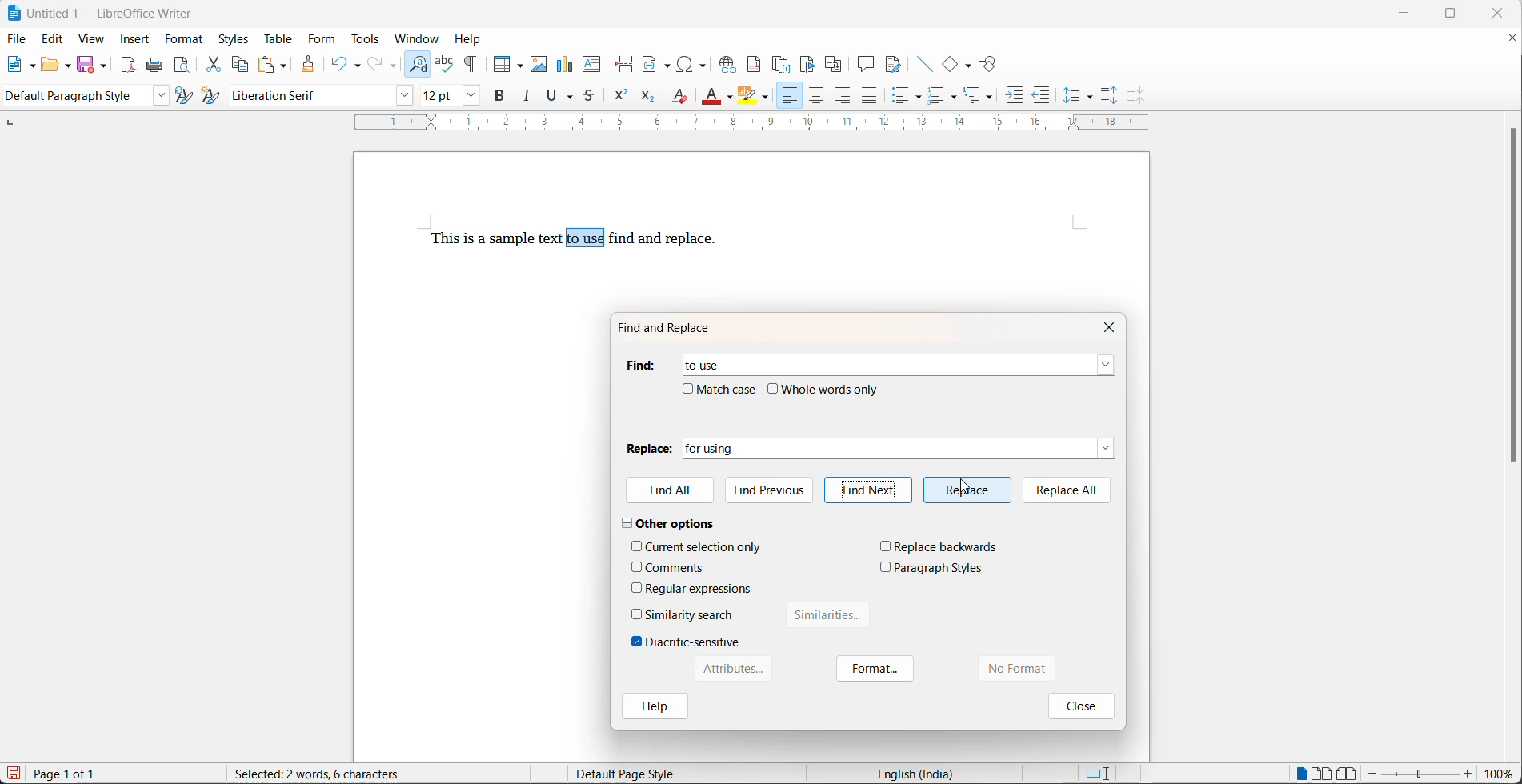  Describe the element at coordinates (693, 642) in the screenshot. I see `diacritic-sensitive` at that location.